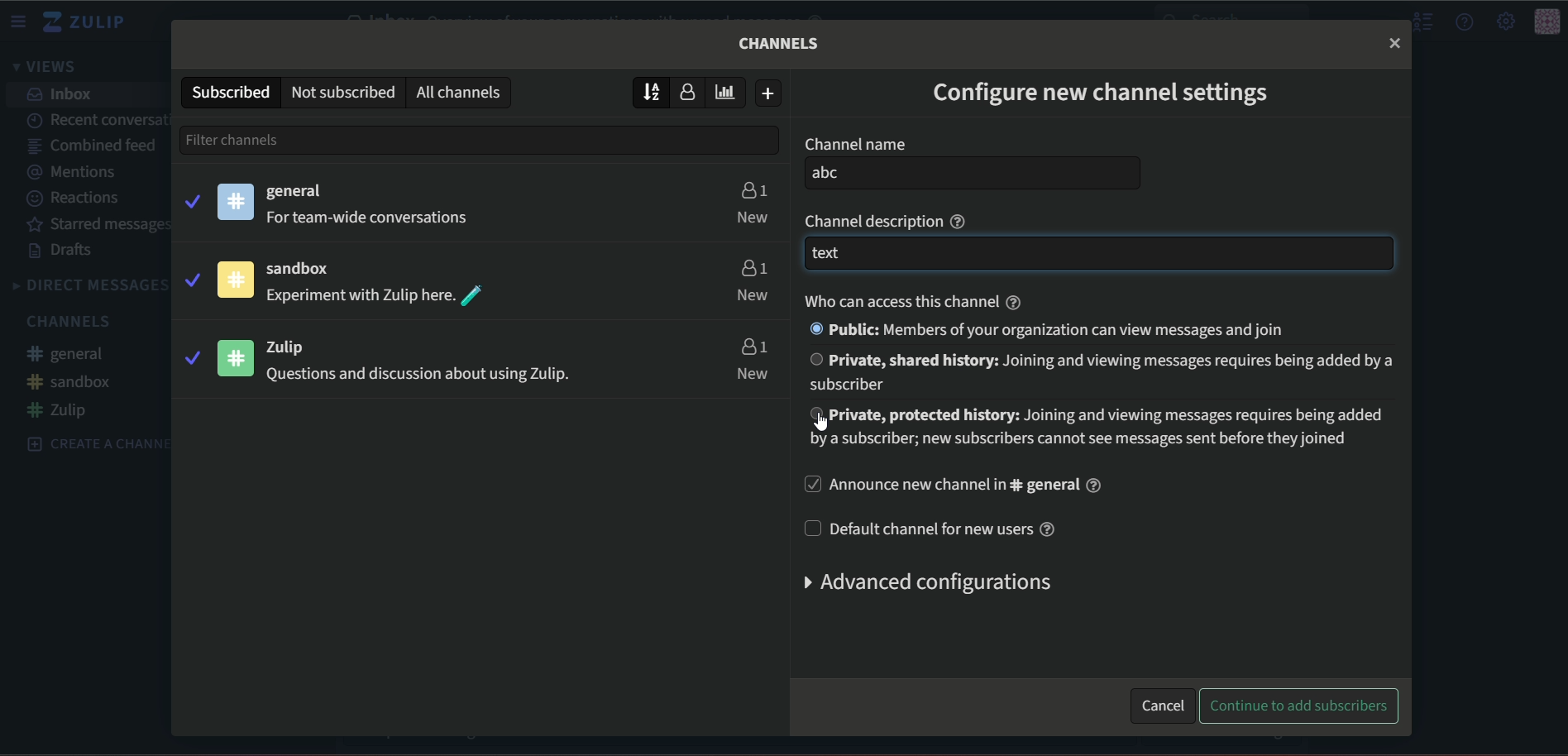 The width and height of the screenshot is (1568, 756). What do you see at coordinates (50, 68) in the screenshot?
I see `views` at bounding box center [50, 68].